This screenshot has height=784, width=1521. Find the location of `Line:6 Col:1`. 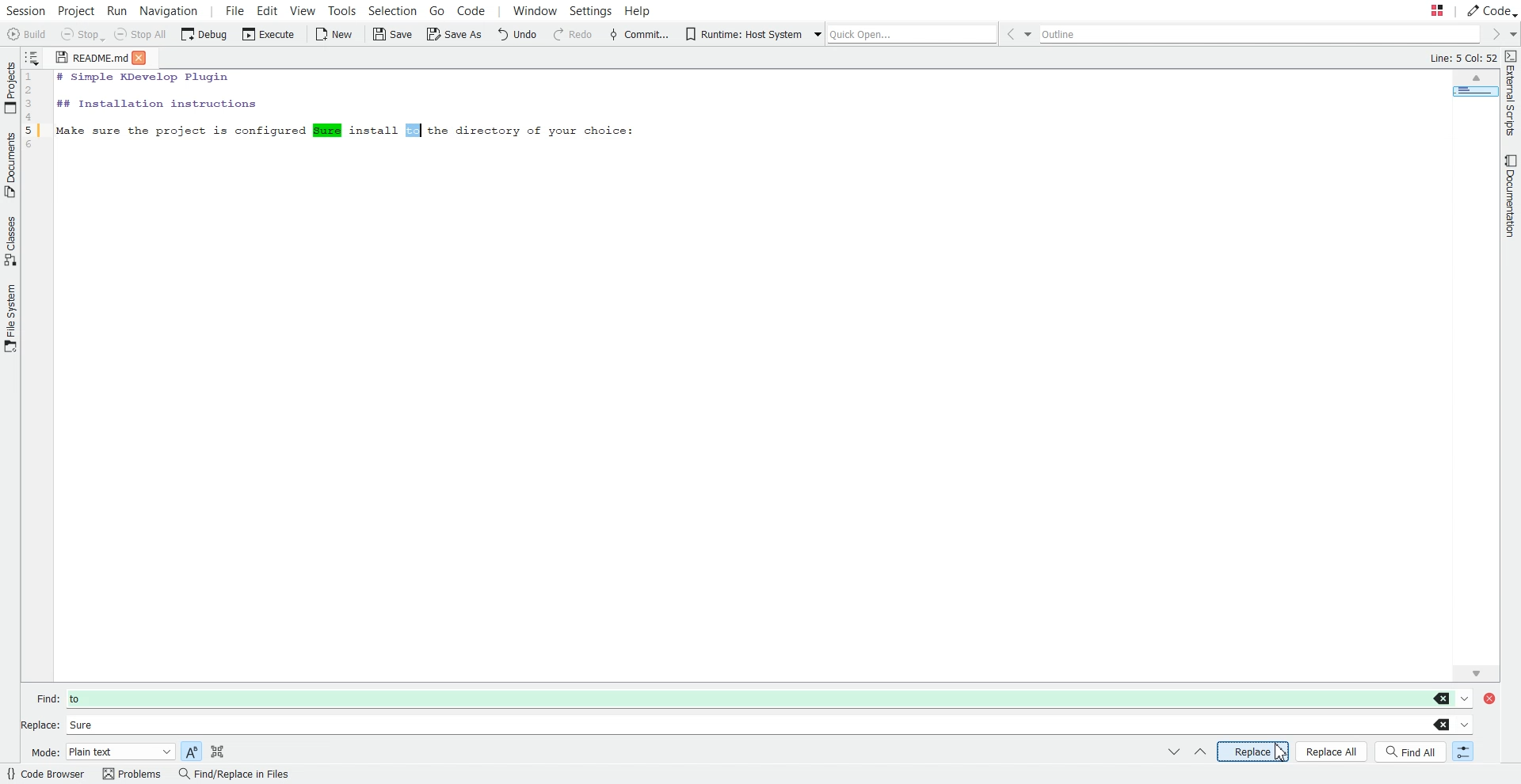

Line:6 Col:1 is located at coordinates (1463, 59).